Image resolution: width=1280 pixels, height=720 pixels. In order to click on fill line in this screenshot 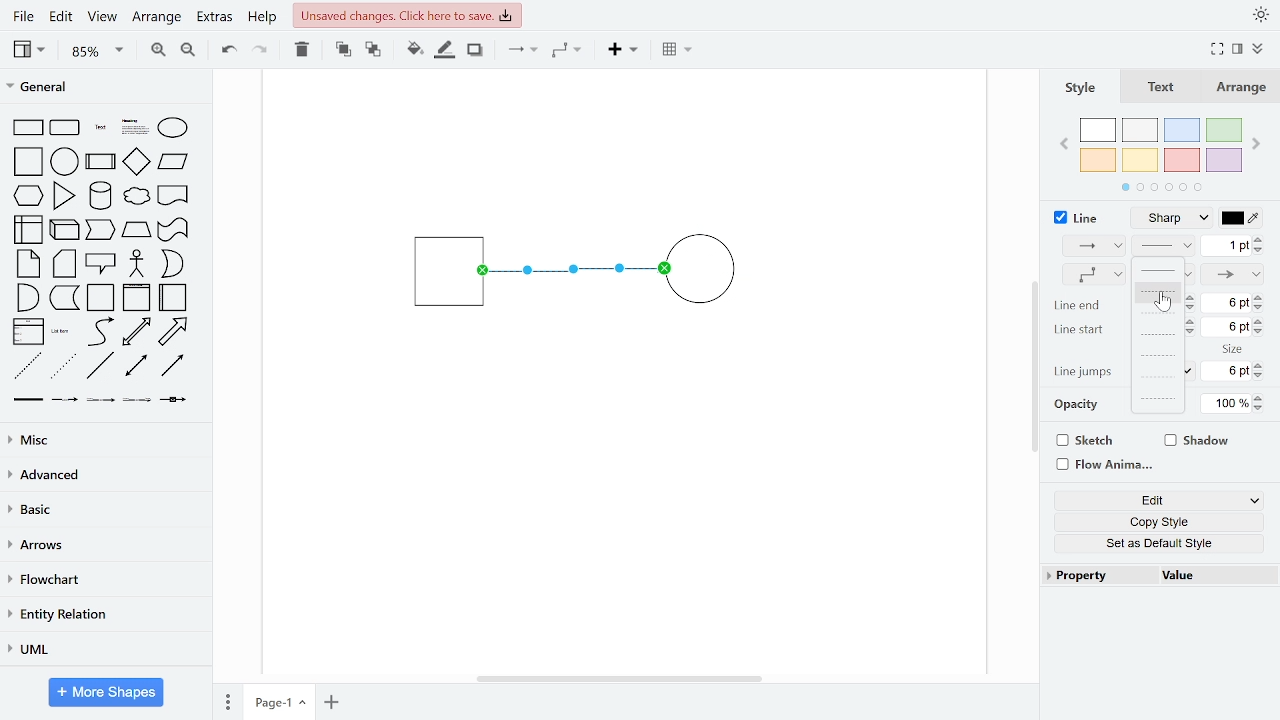, I will do `click(444, 50)`.